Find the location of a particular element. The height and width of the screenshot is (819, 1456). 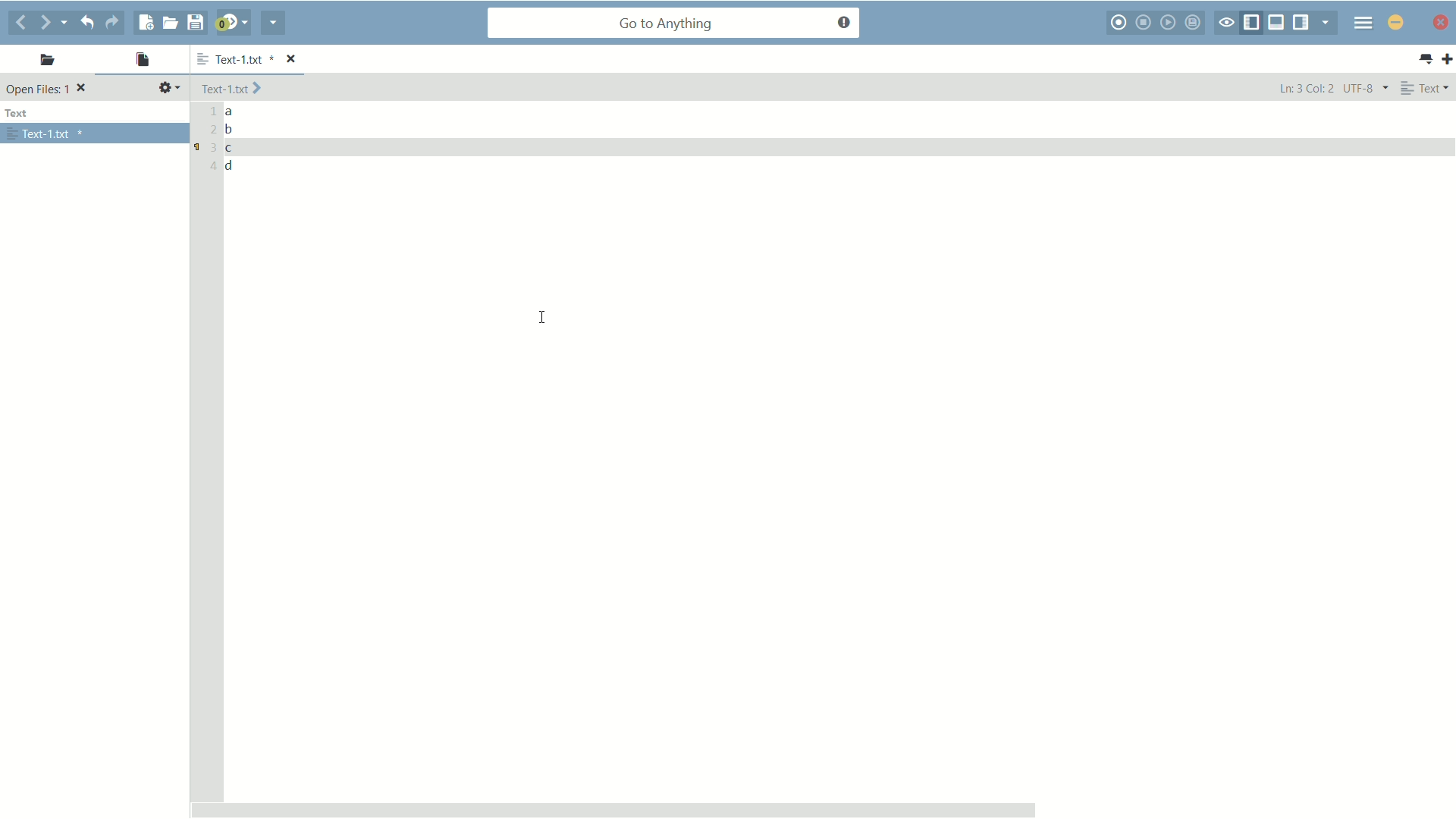

cursor is located at coordinates (546, 321).